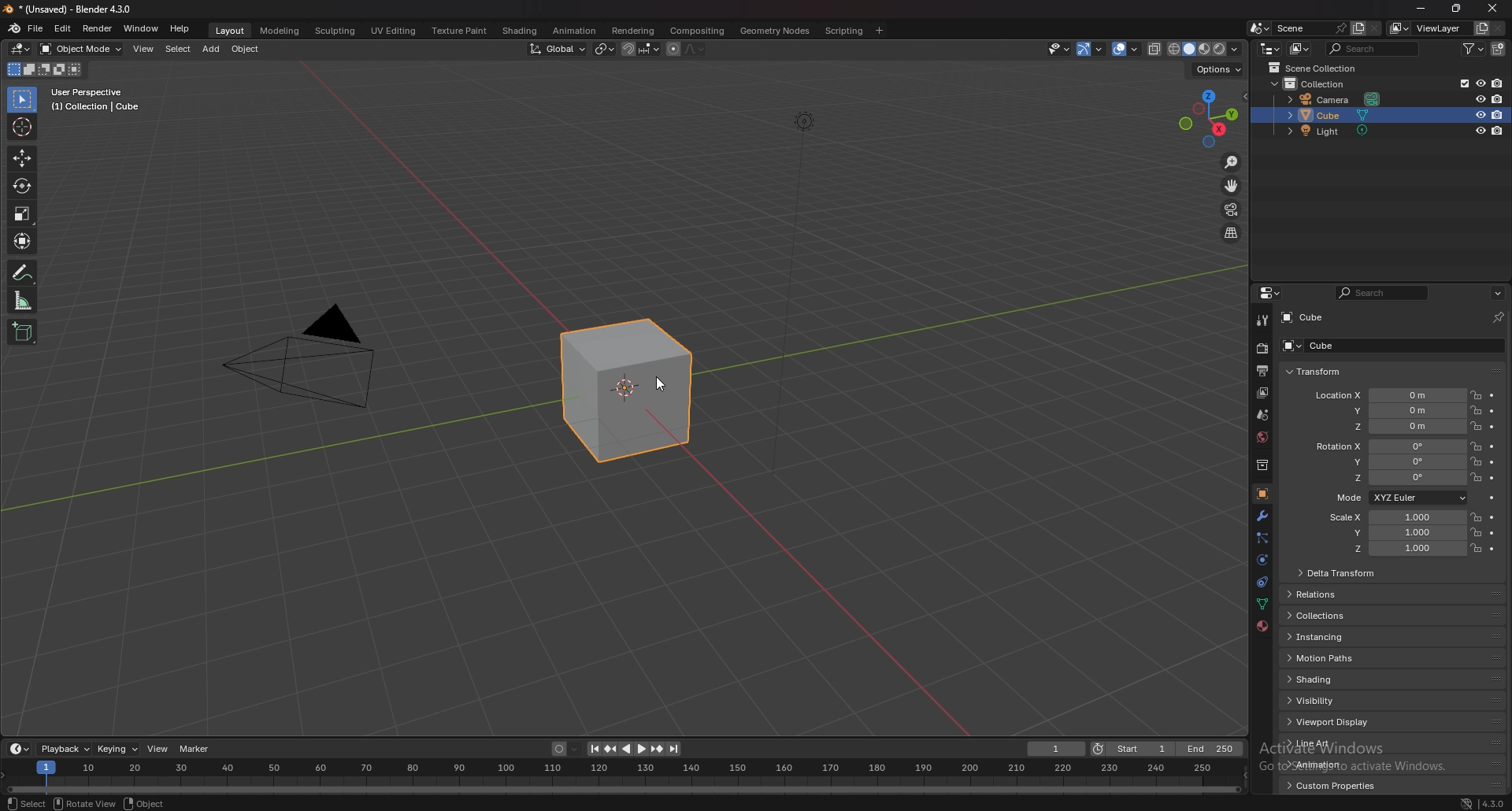 This screenshot has height=811, width=1512. I want to click on hide in viewport, so click(1480, 98).